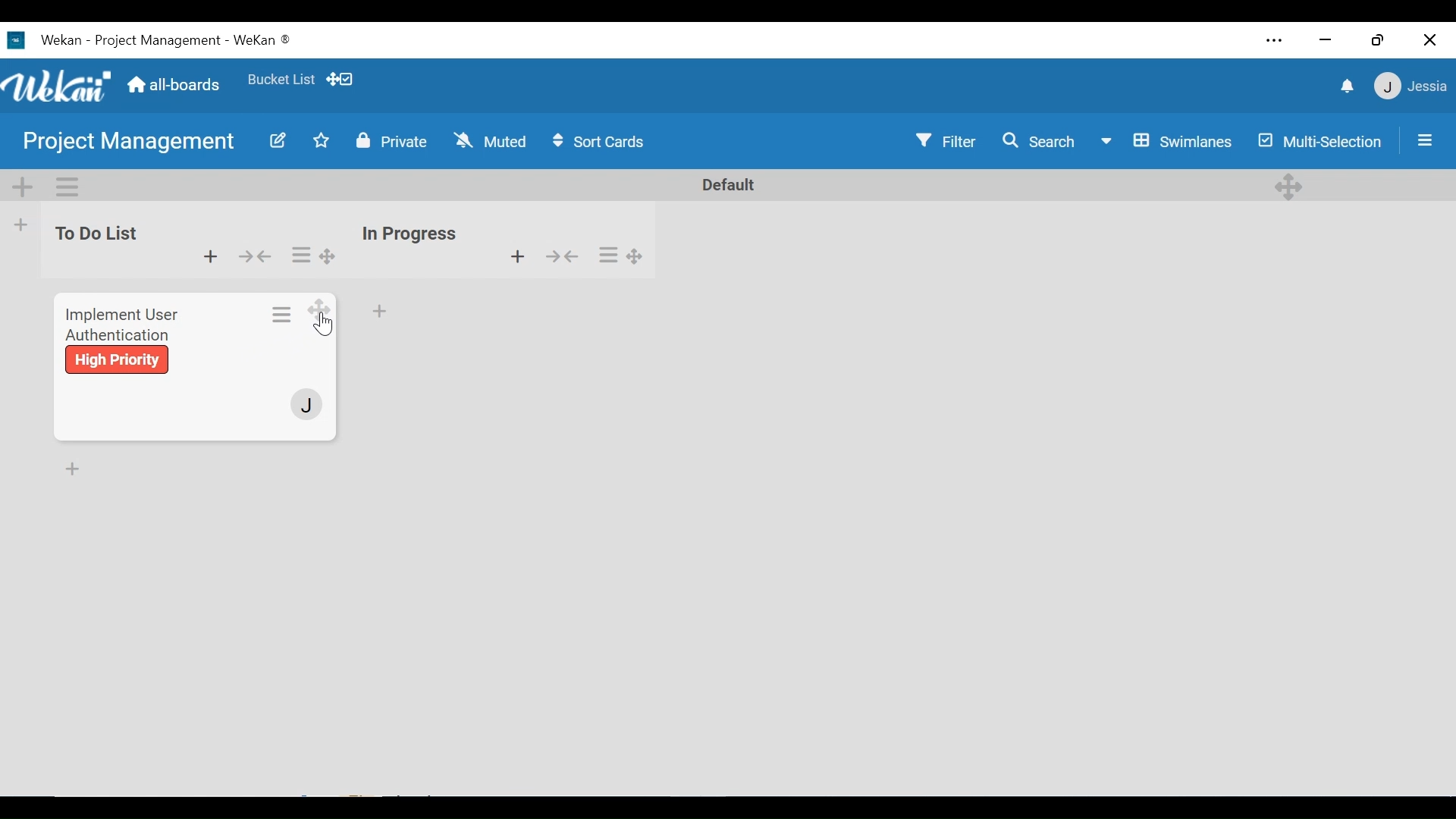 The height and width of the screenshot is (819, 1456). What do you see at coordinates (15, 40) in the screenshot?
I see `wekan logo` at bounding box center [15, 40].